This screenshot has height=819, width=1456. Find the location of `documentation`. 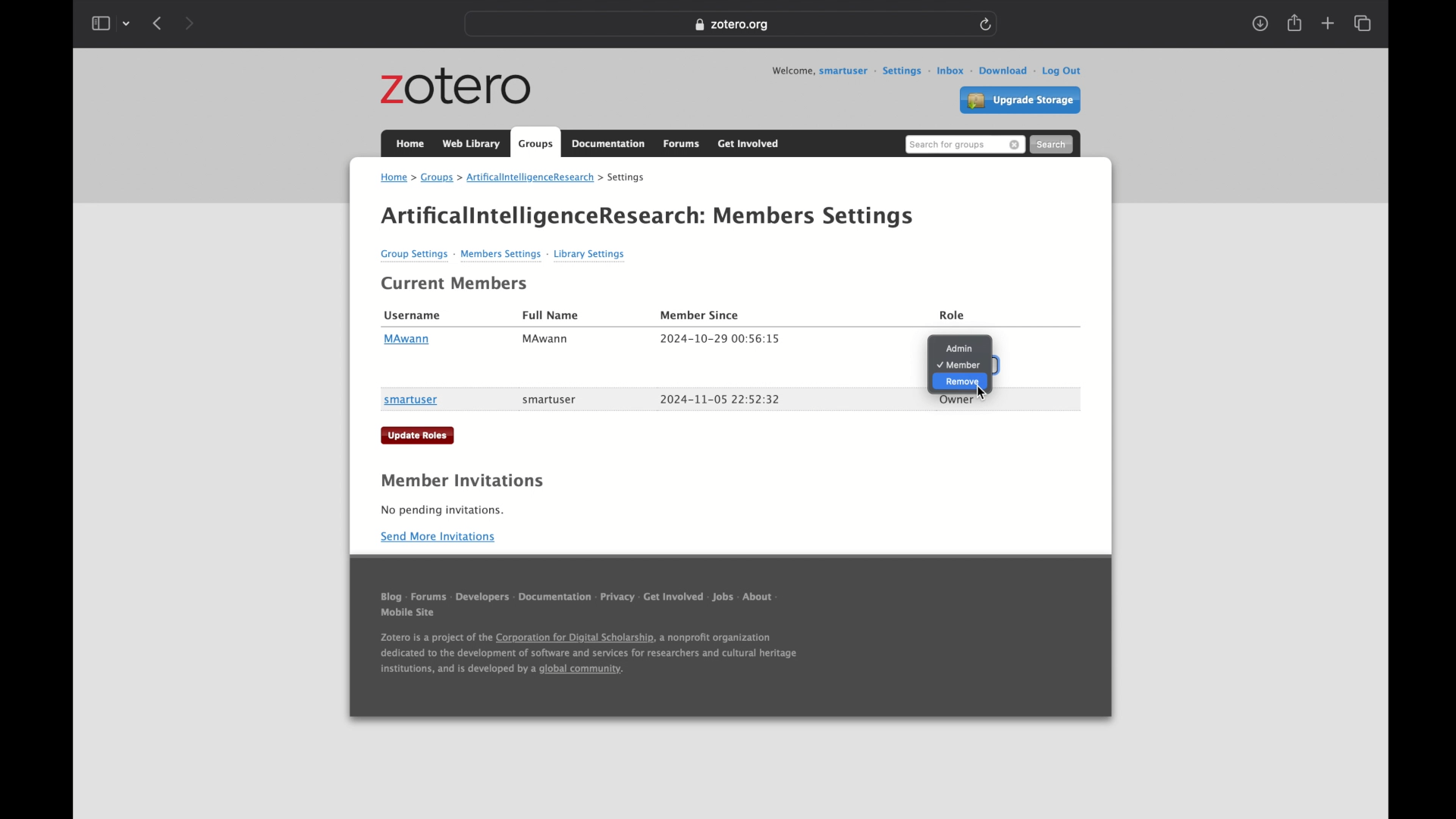

documentation is located at coordinates (609, 144).